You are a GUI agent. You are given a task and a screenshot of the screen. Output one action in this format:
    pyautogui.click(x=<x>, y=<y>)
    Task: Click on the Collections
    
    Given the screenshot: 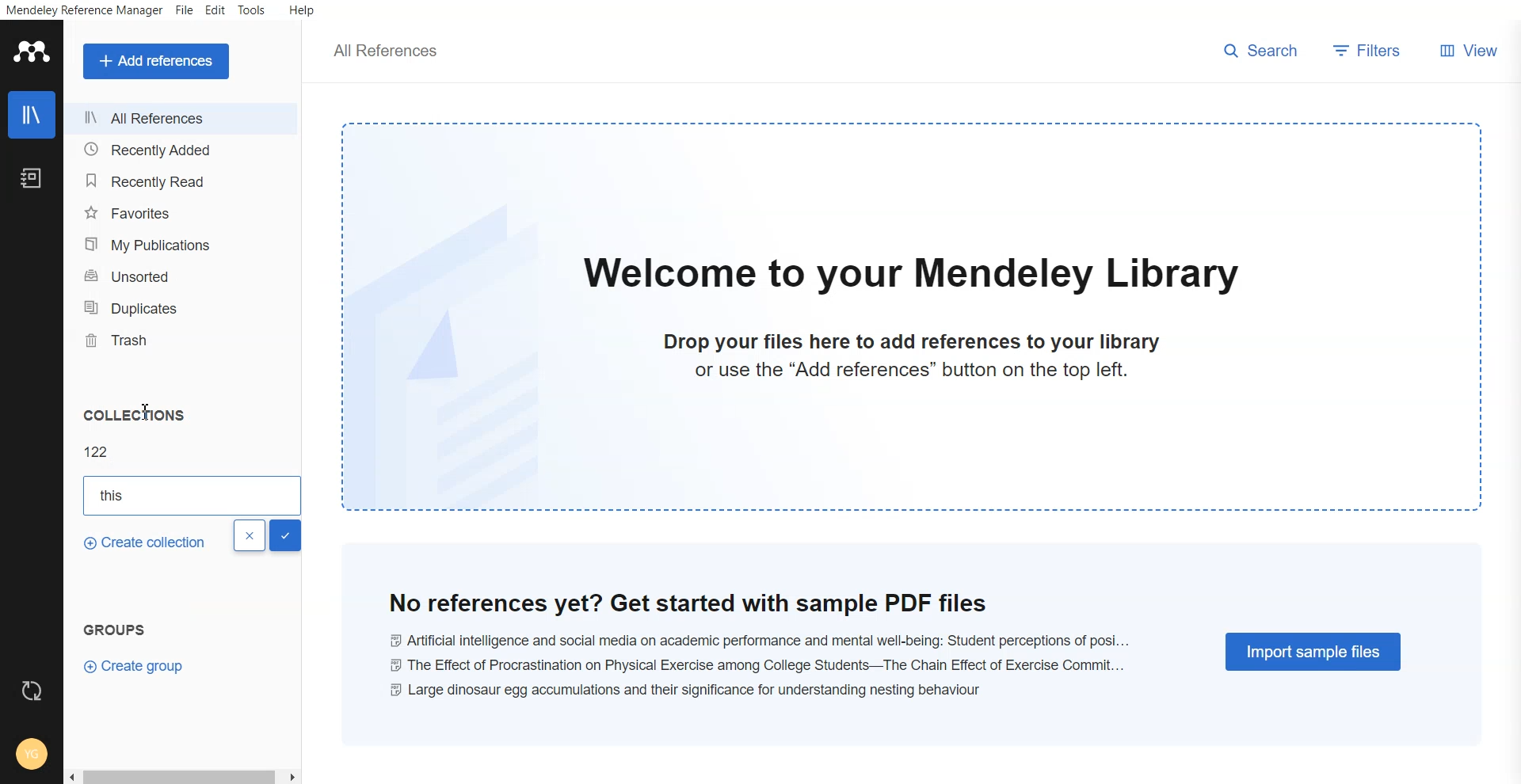 What is the action you would take?
    pyautogui.click(x=135, y=415)
    